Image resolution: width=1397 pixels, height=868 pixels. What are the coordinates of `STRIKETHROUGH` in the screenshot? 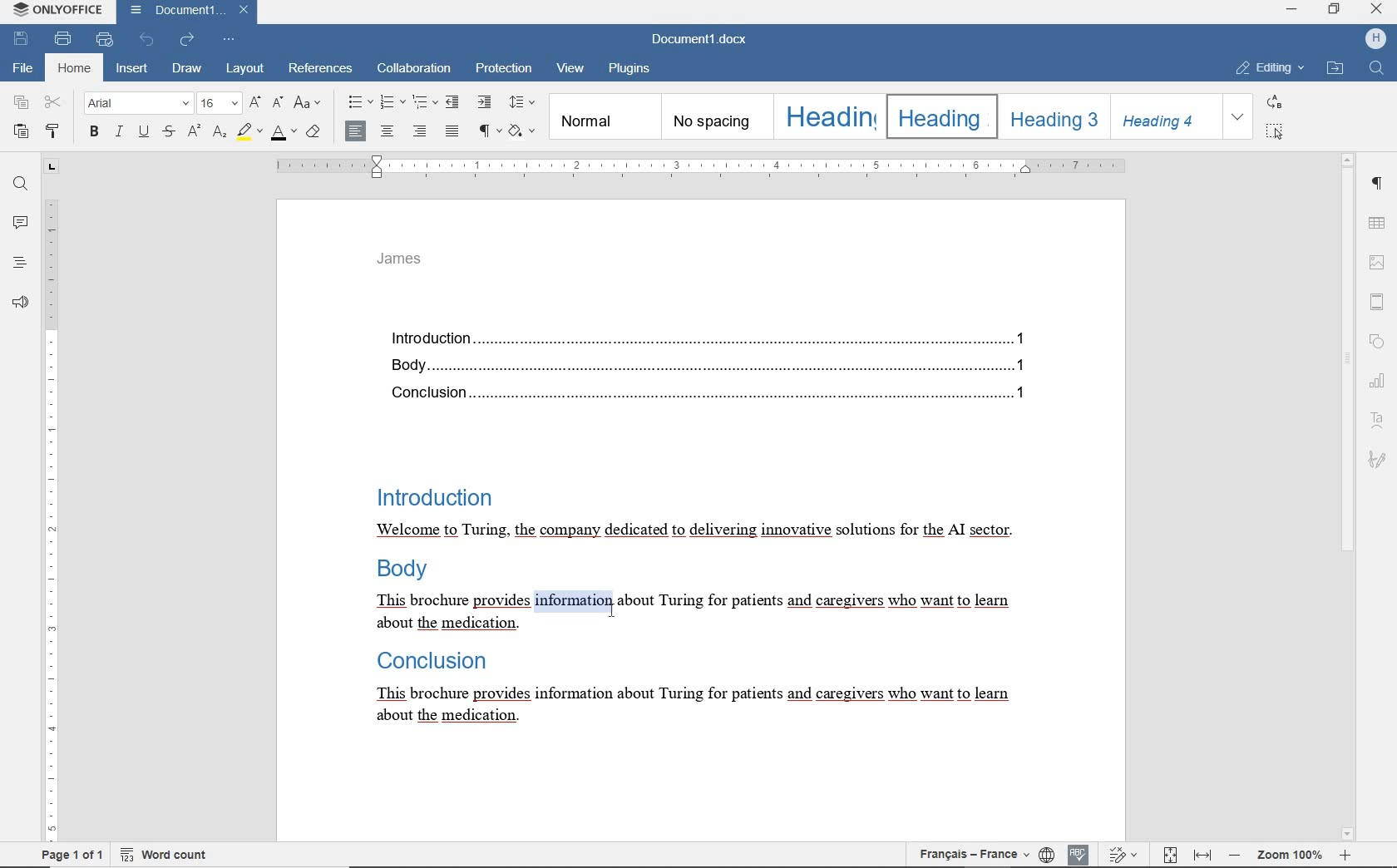 It's located at (169, 132).